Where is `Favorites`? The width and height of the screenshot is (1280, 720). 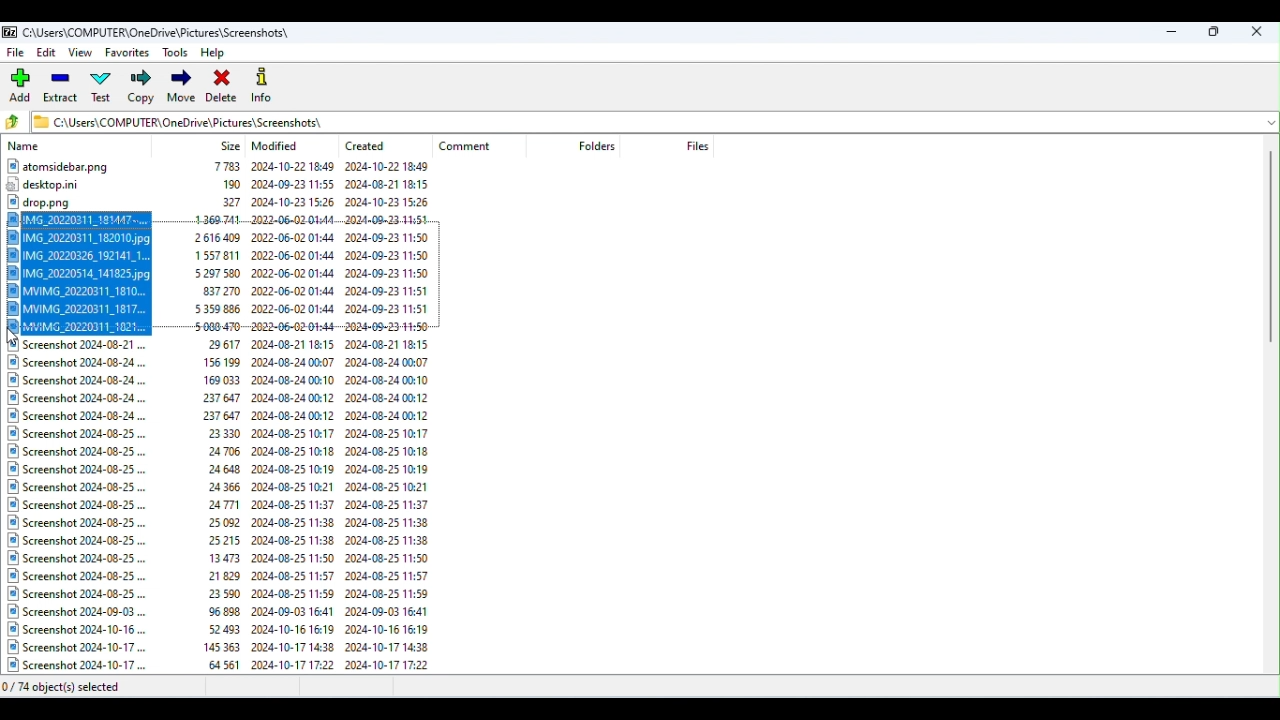 Favorites is located at coordinates (126, 55).